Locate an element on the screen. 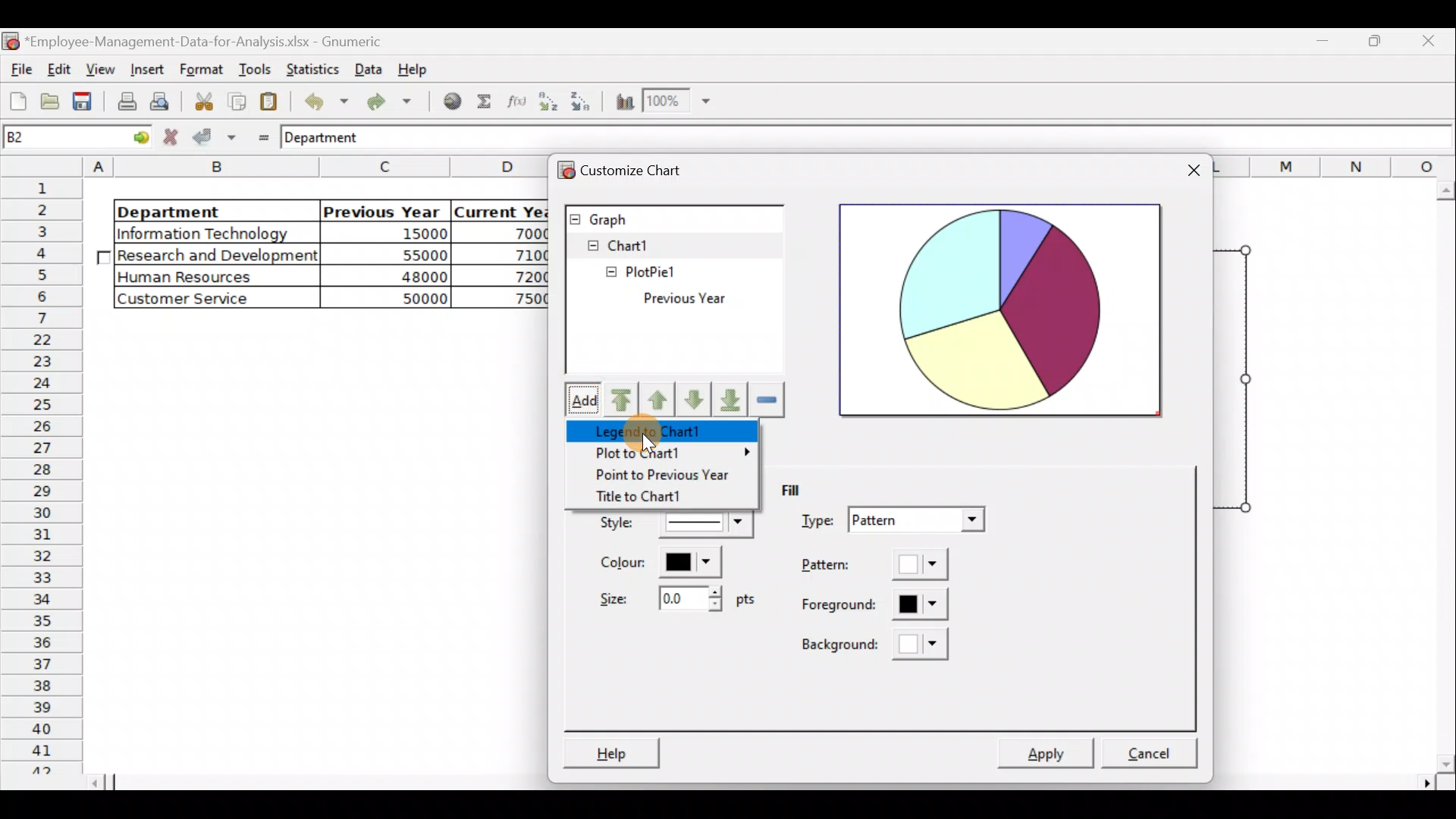 The height and width of the screenshot is (819, 1456). Move downward is located at coordinates (732, 400).